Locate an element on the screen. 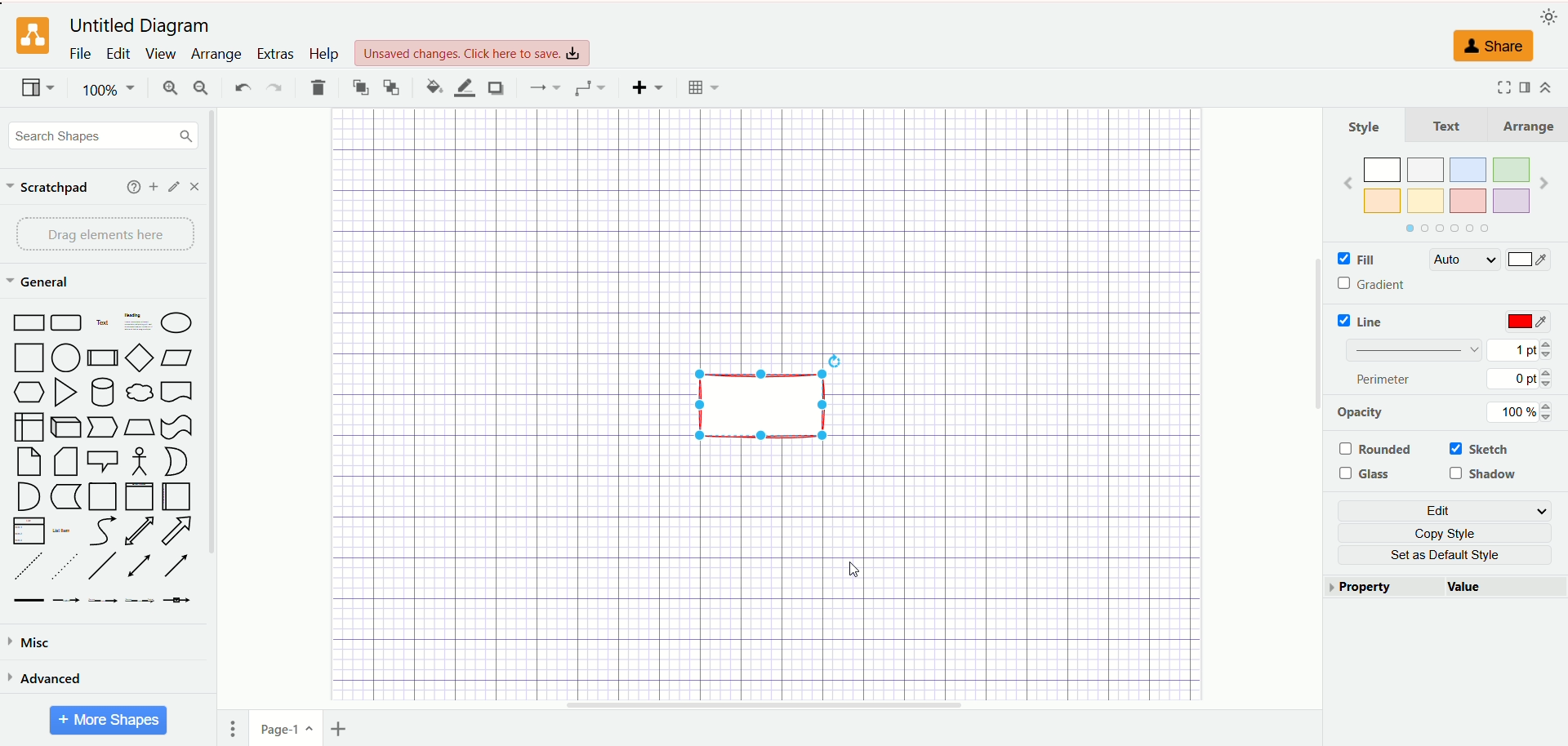  line color is located at coordinates (464, 88).